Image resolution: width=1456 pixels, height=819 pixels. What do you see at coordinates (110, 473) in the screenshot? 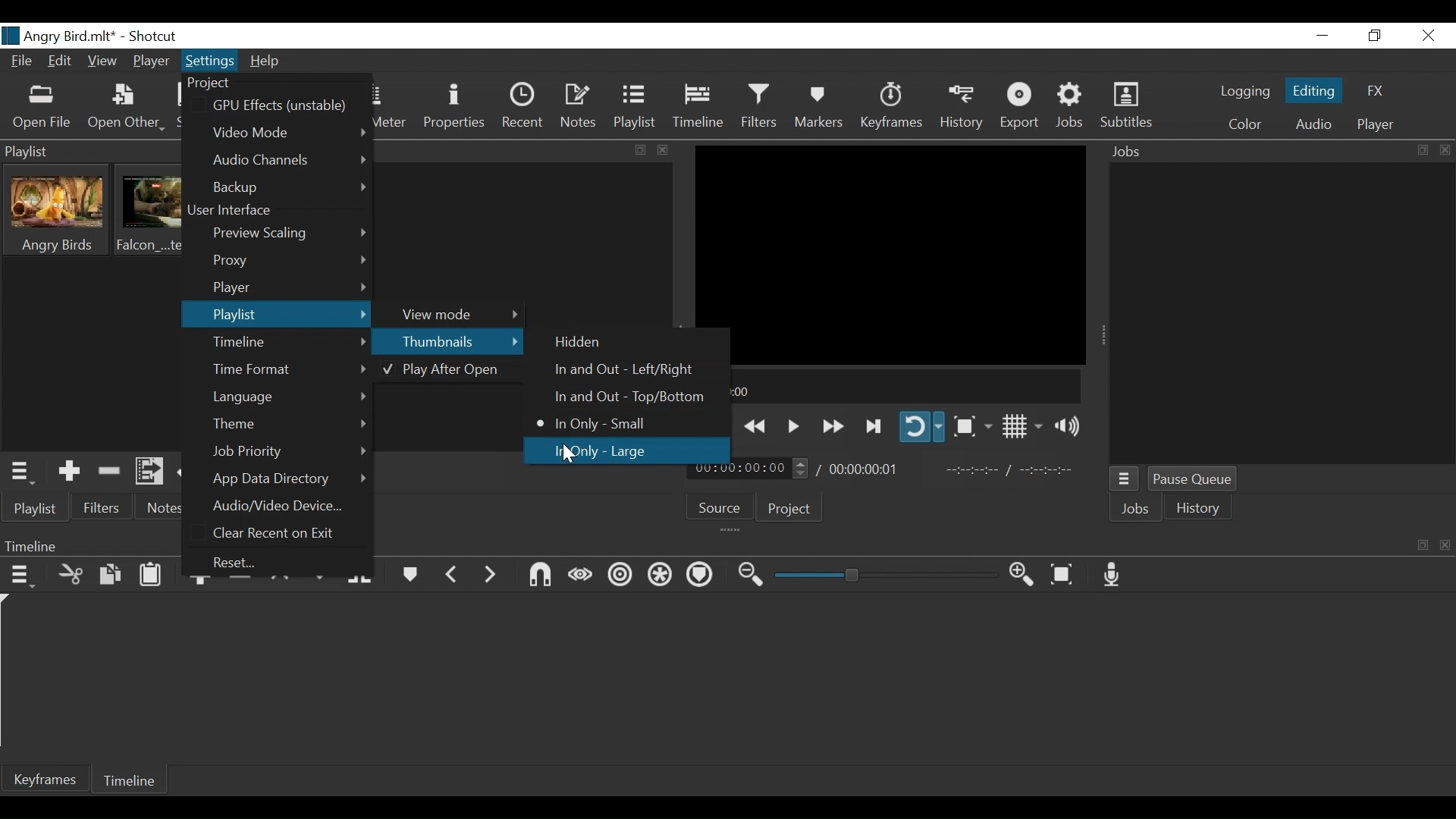
I see `Remove cut` at bounding box center [110, 473].